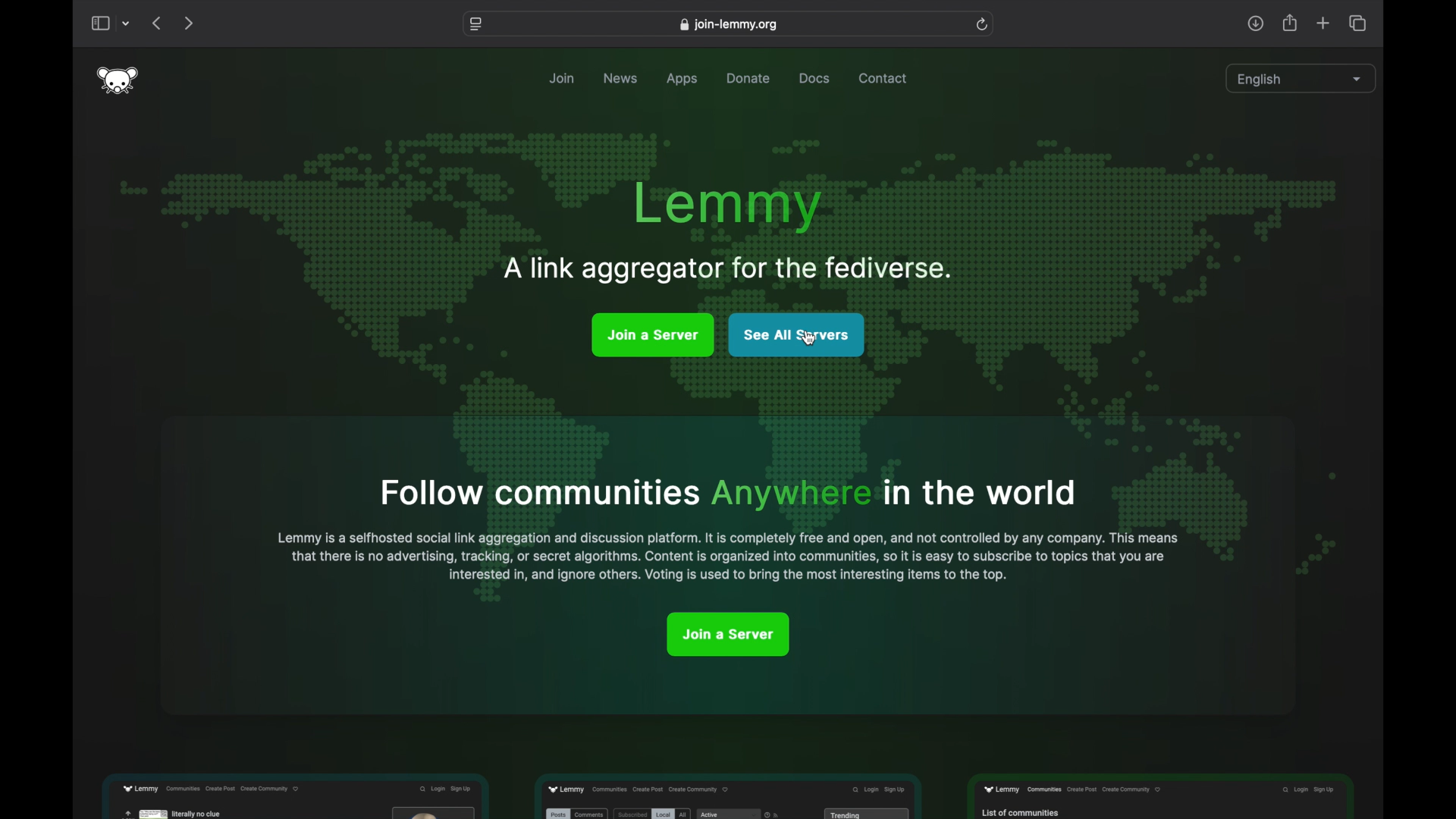 The image size is (1456, 819). I want to click on previous page, so click(156, 23).